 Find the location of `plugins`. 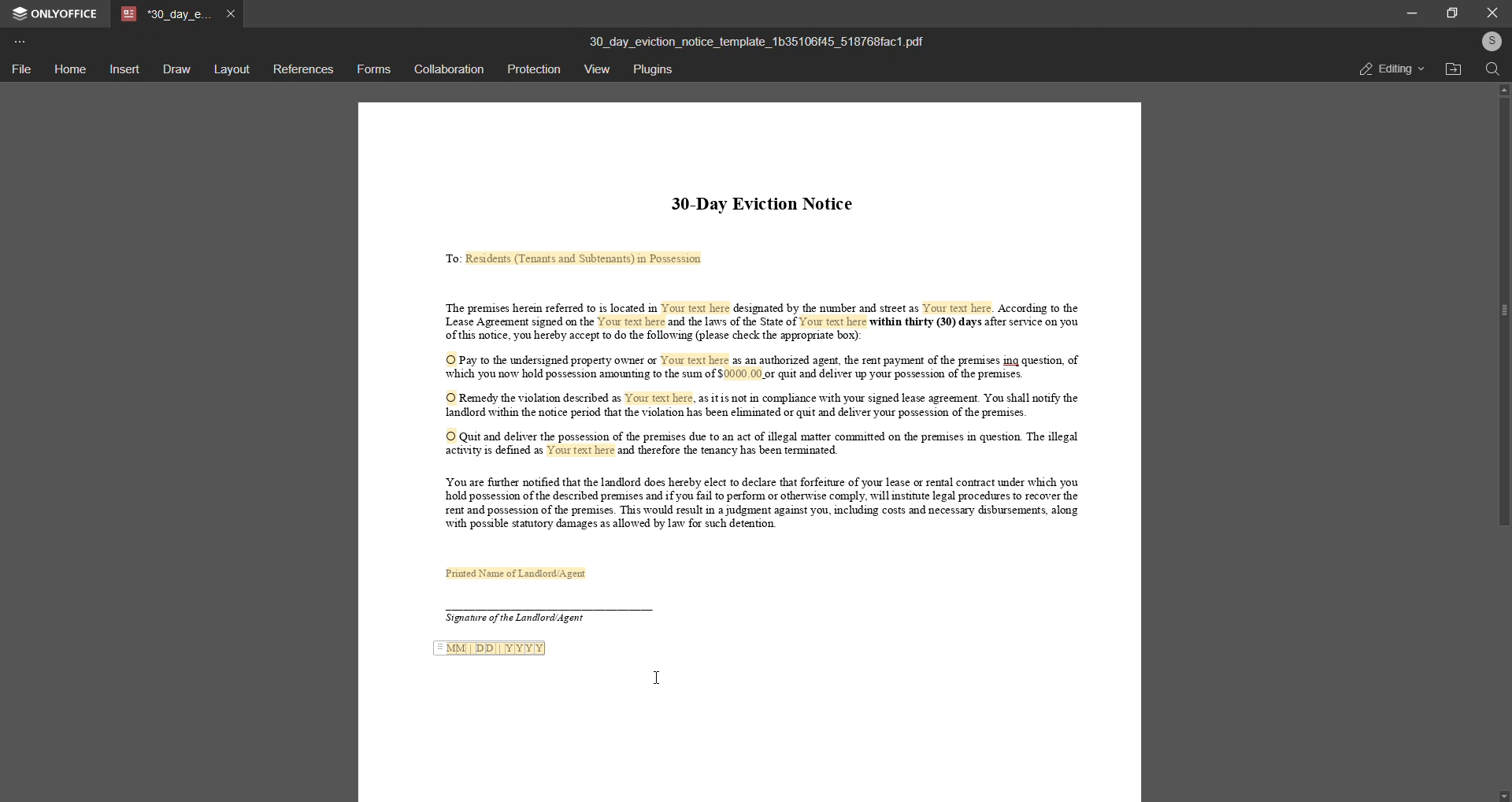

plugins is located at coordinates (658, 71).